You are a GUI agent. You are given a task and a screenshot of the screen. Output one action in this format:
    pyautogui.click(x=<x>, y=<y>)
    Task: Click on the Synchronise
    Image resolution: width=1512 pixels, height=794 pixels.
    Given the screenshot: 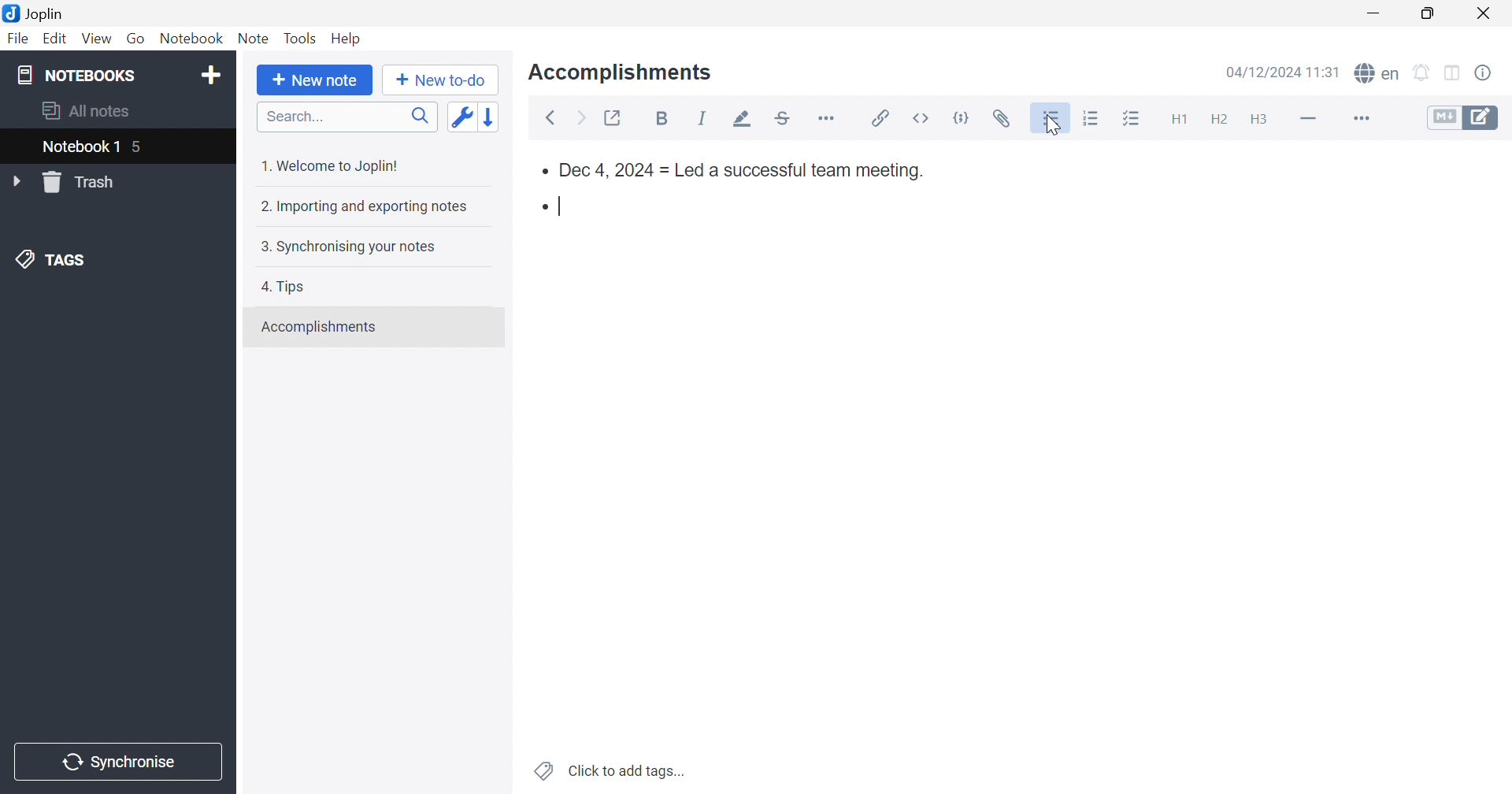 What is the action you would take?
    pyautogui.click(x=115, y=762)
    